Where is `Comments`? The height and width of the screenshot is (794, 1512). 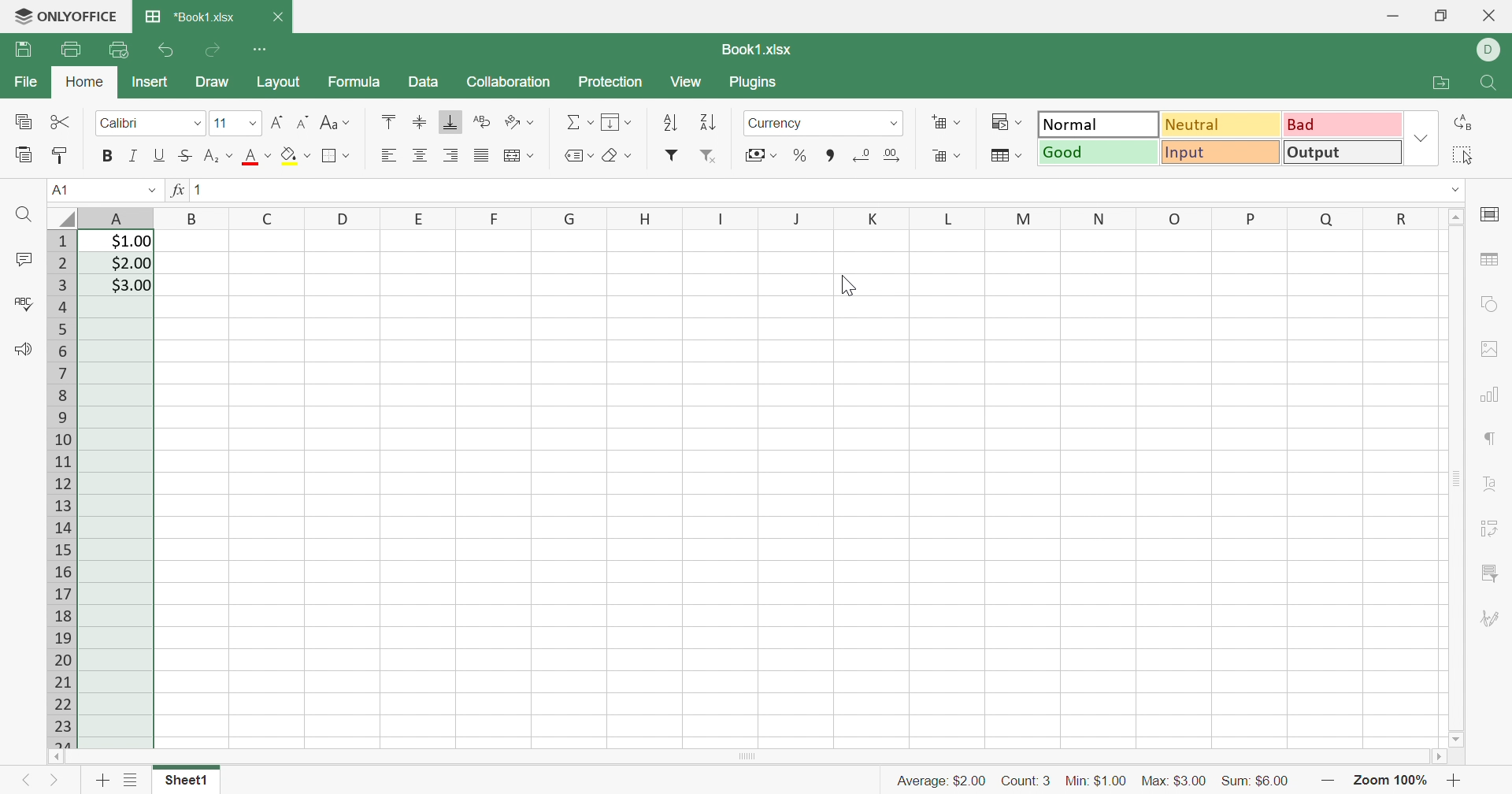
Comments is located at coordinates (27, 260).